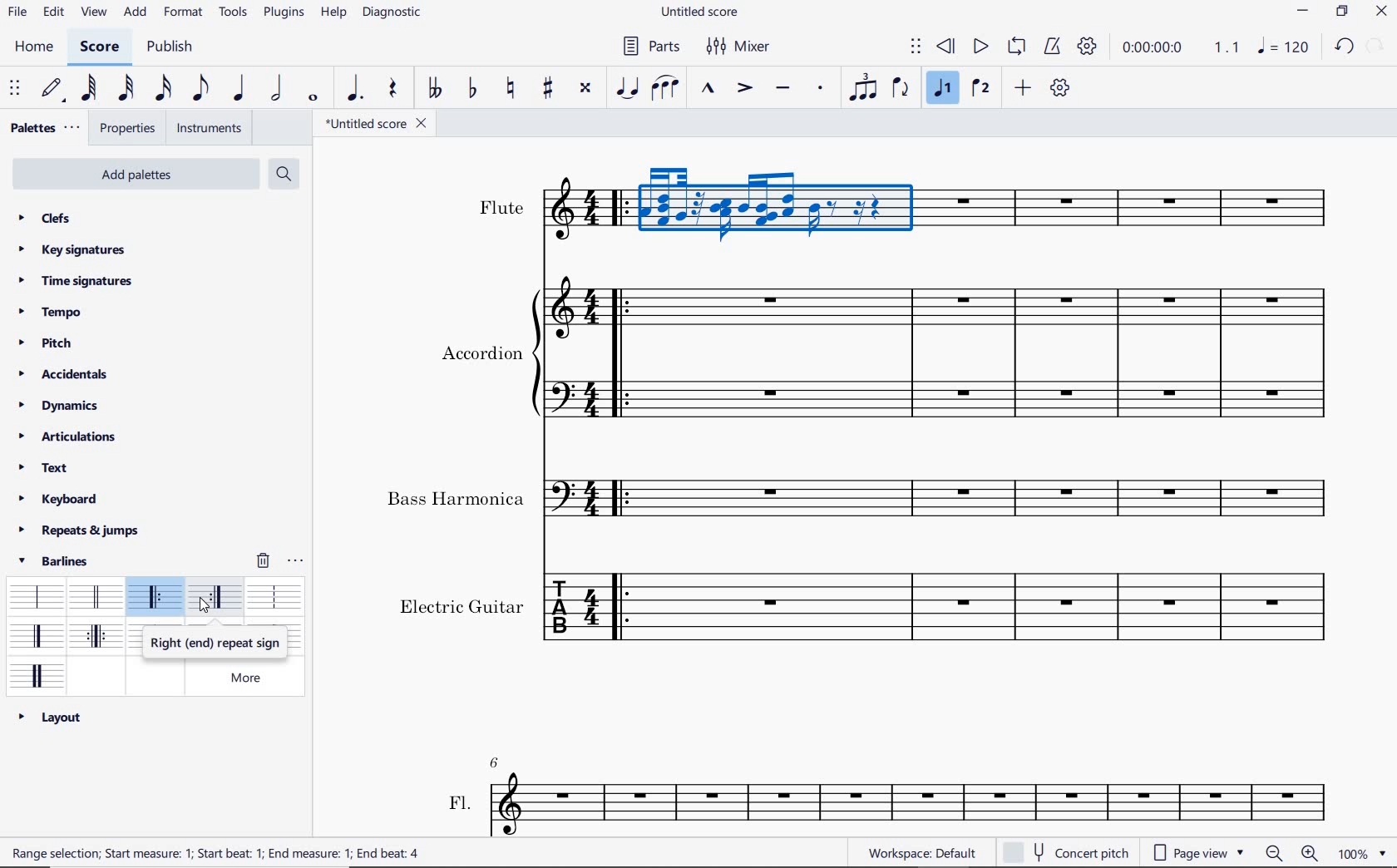 The width and height of the screenshot is (1397, 868). What do you see at coordinates (172, 48) in the screenshot?
I see `PUBLISH` at bounding box center [172, 48].